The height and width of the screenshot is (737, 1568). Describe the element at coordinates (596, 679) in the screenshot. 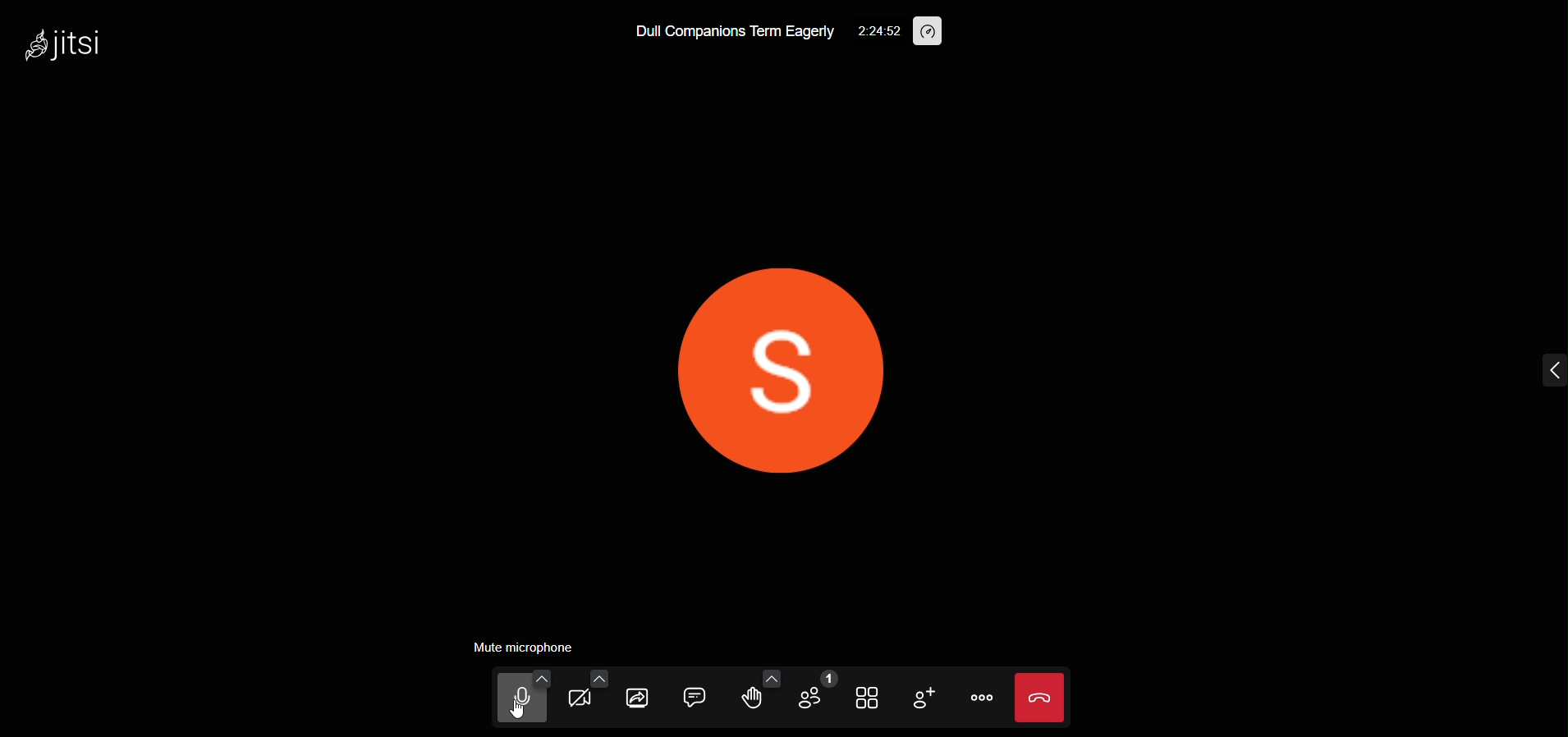

I see `video setting` at that location.